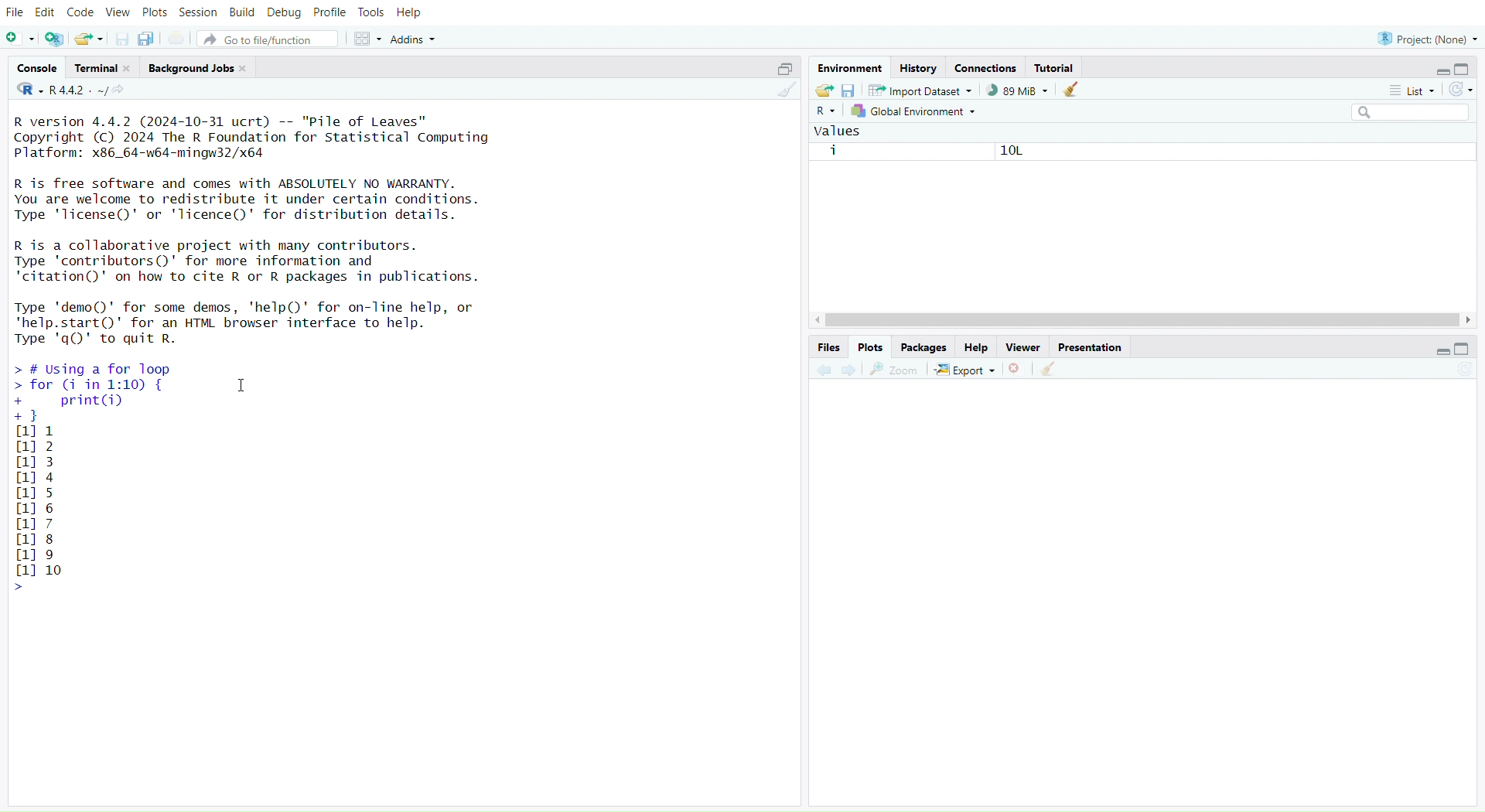 The height and width of the screenshot is (812, 1485). I want to click on list, so click(1405, 90).